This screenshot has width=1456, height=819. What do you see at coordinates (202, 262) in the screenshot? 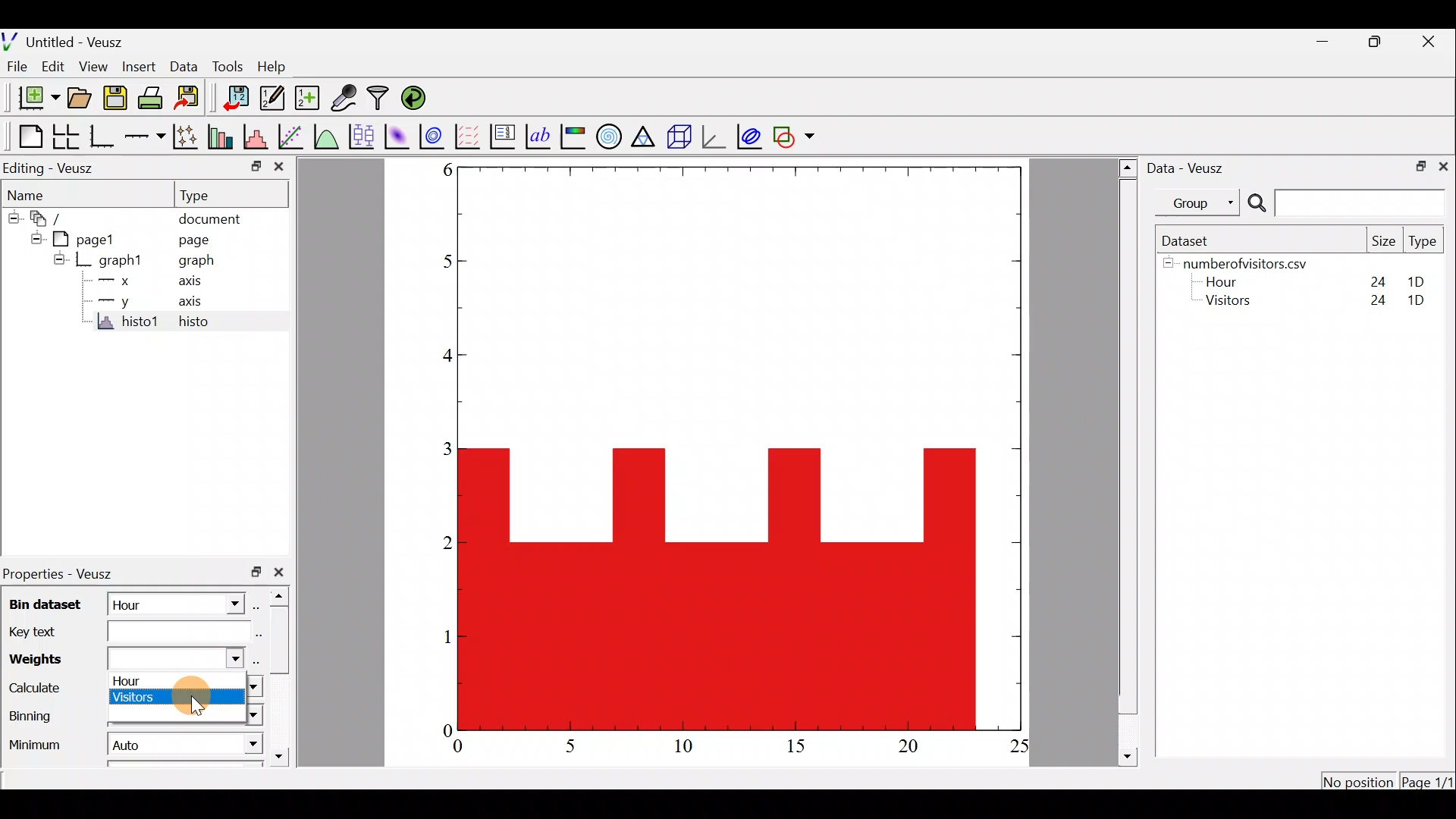
I see `graph` at bounding box center [202, 262].